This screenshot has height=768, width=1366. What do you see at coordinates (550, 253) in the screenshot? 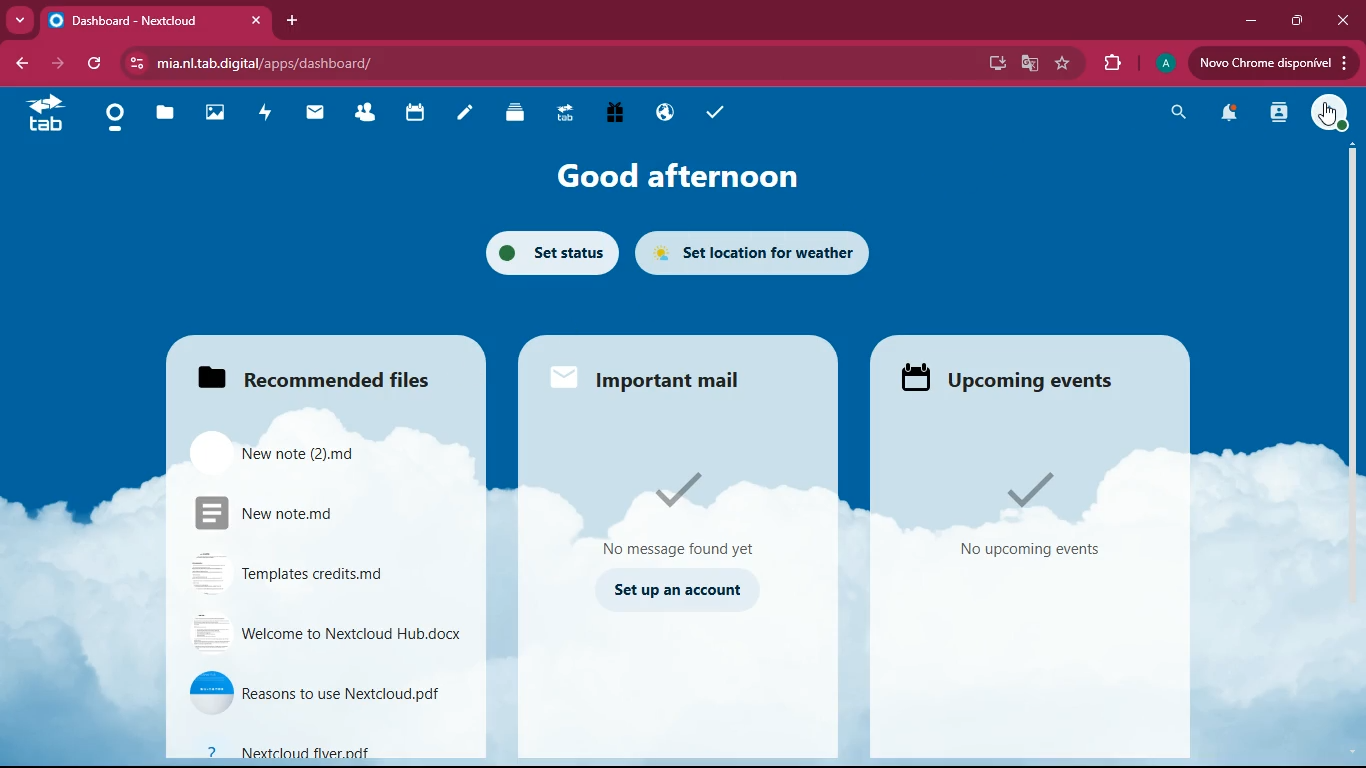
I see `set status` at bounding box center [550, 253].